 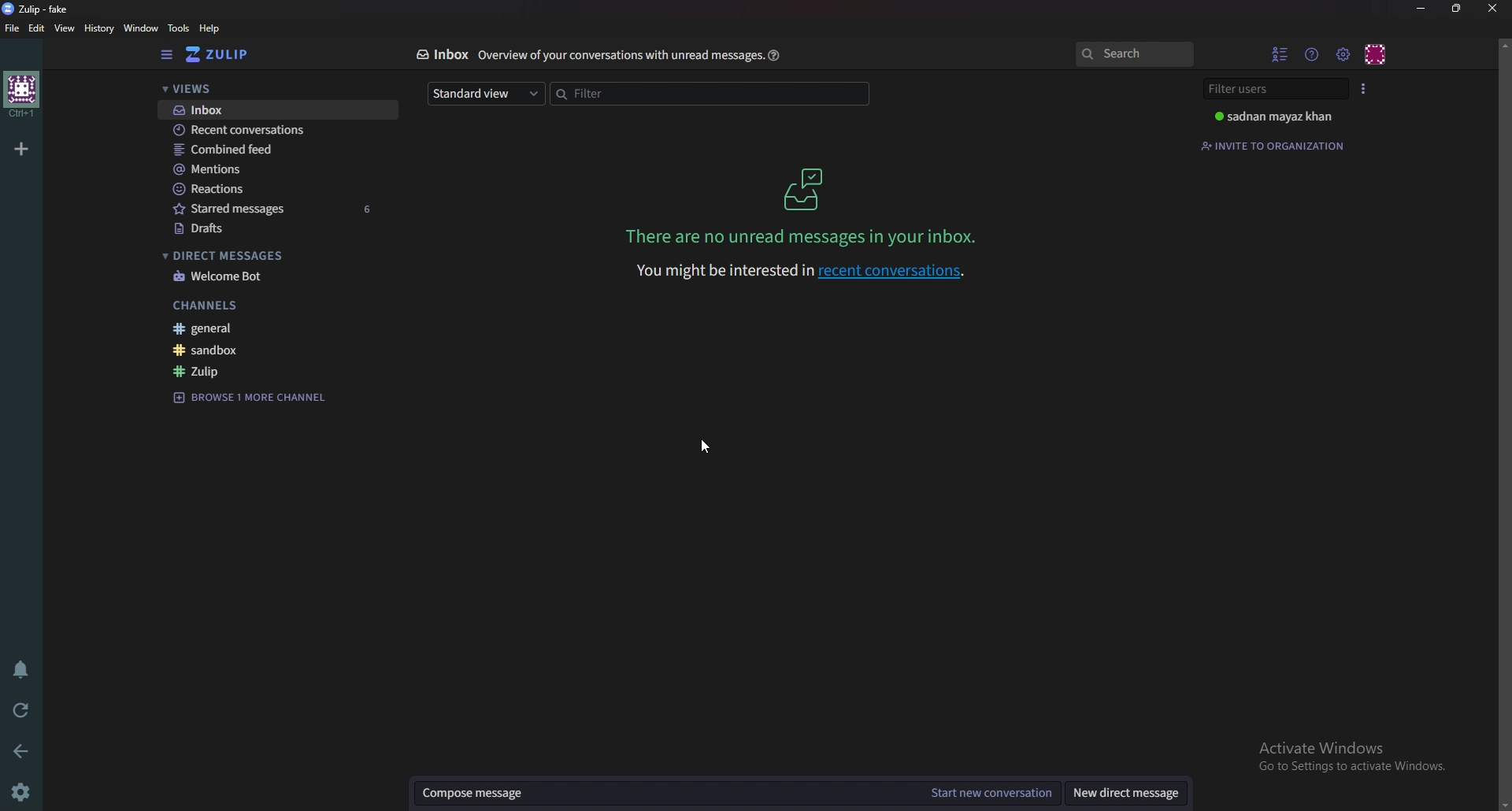 I want to click on There are no unread messages in your inbox., so click(x=801, y=235).